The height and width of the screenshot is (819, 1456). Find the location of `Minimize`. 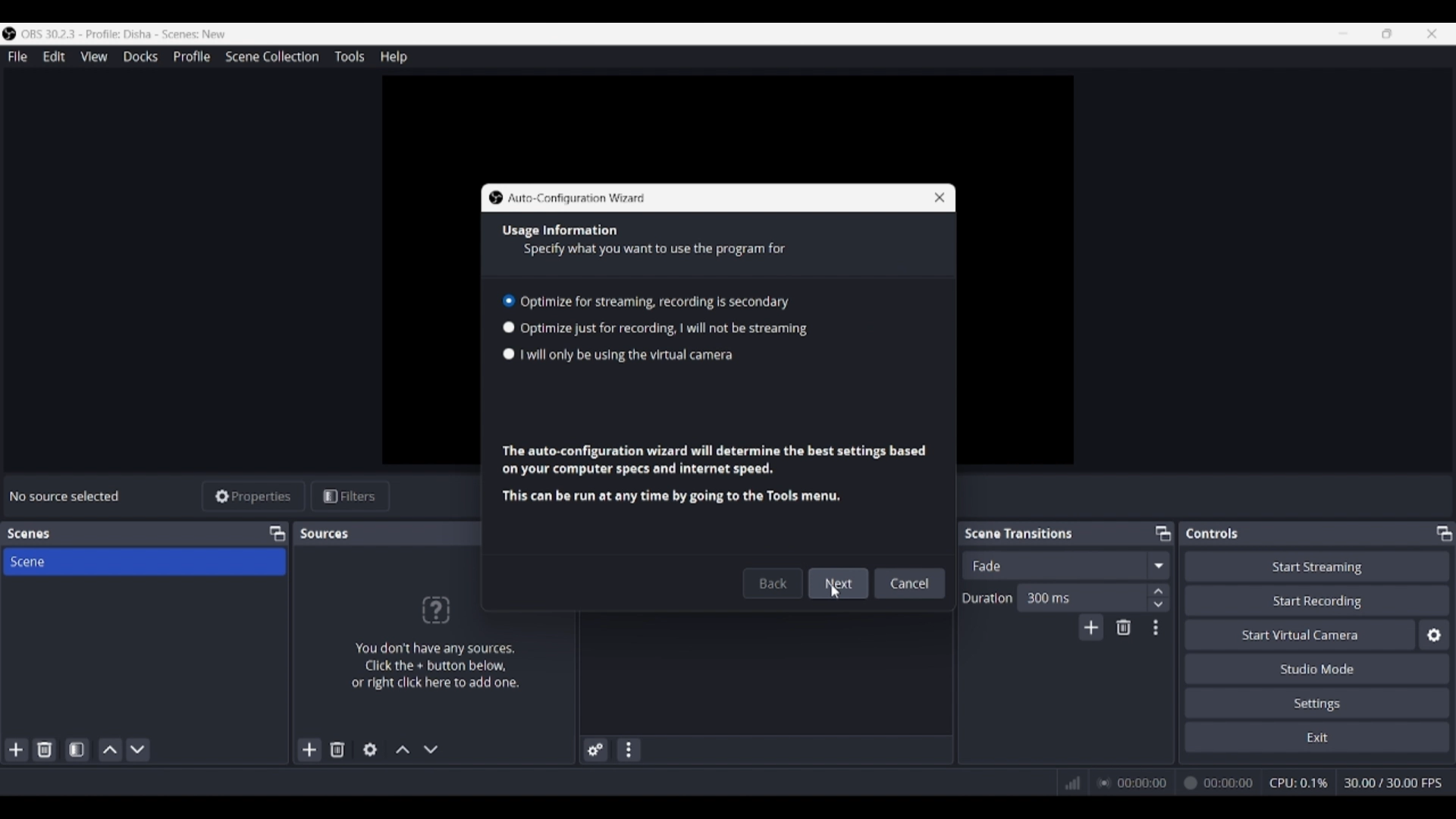

Minimize is located at coordinates (1343, 33).